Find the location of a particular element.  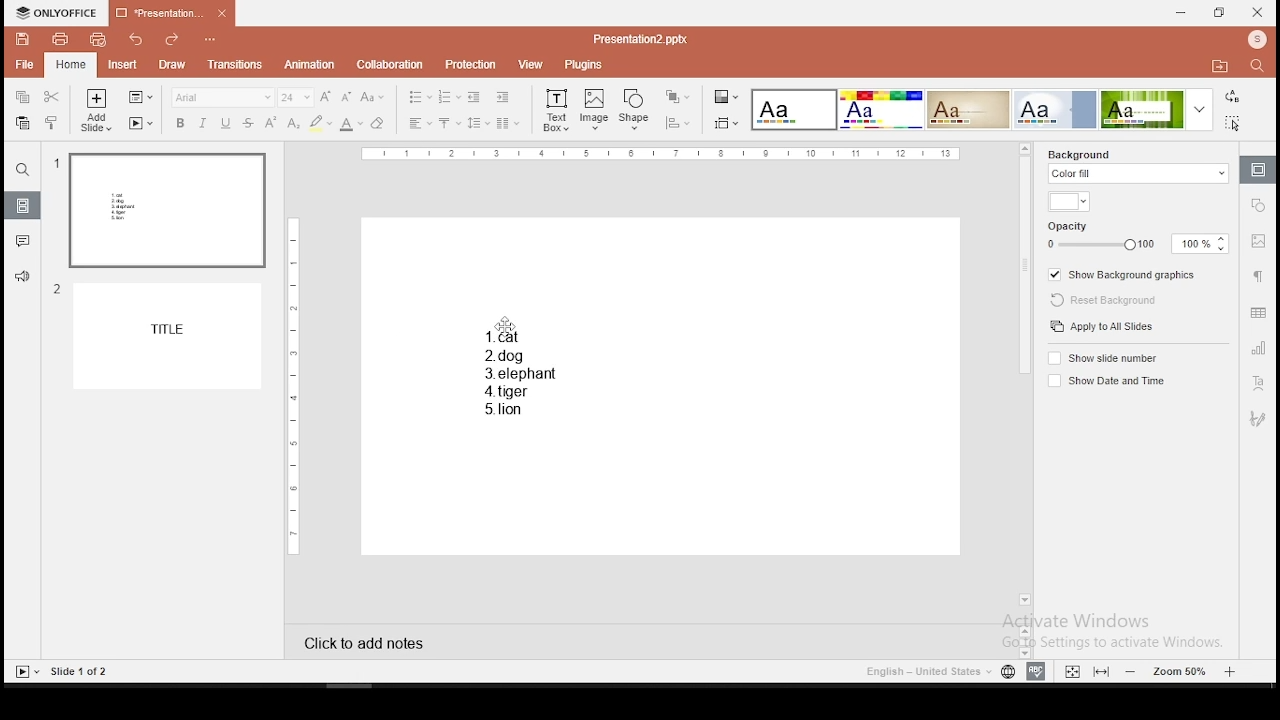

change color theme is located at coordinates (726, 96).